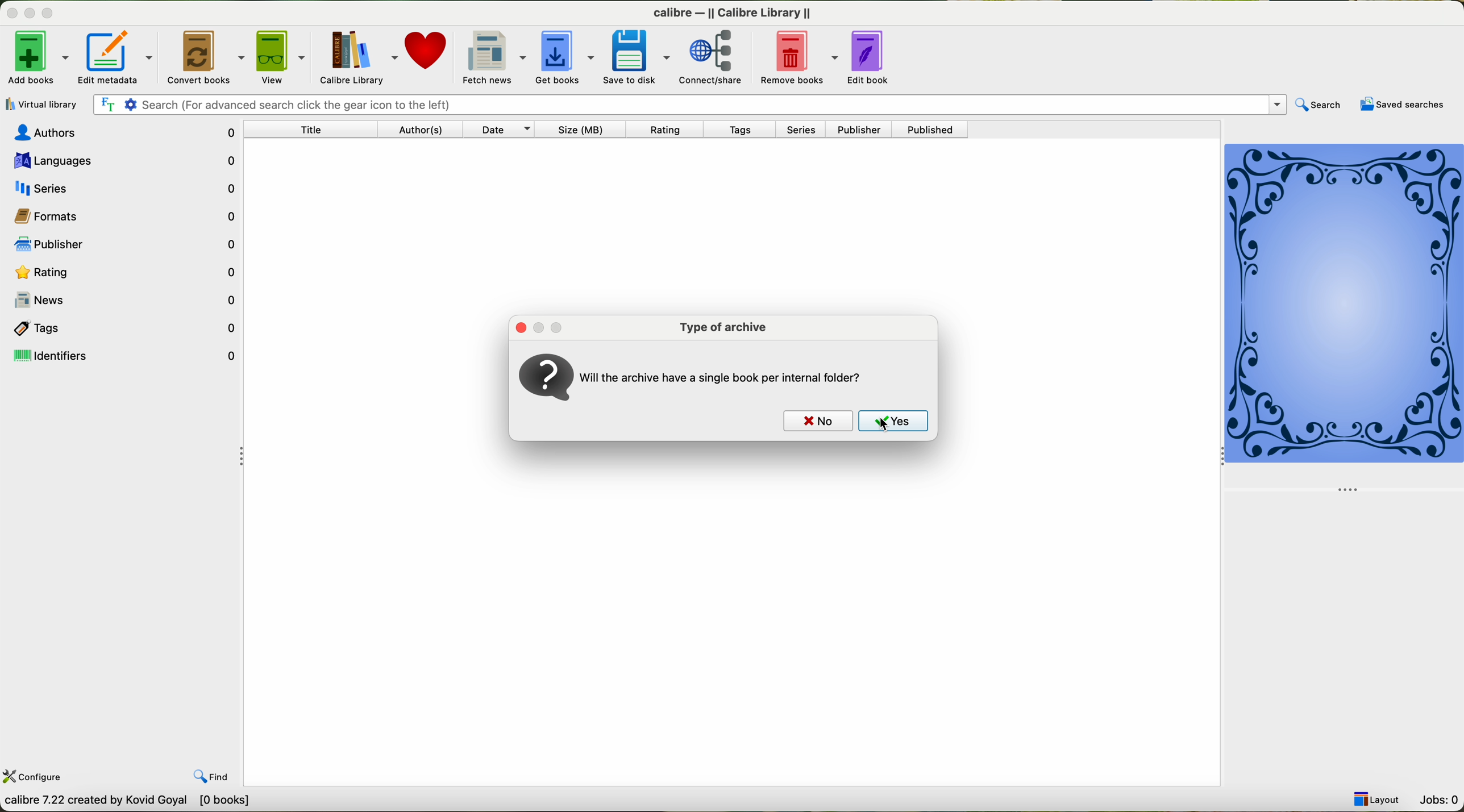  Describe the element at coordinates (123, 133) in the screenshot. I see `authors` at that location.